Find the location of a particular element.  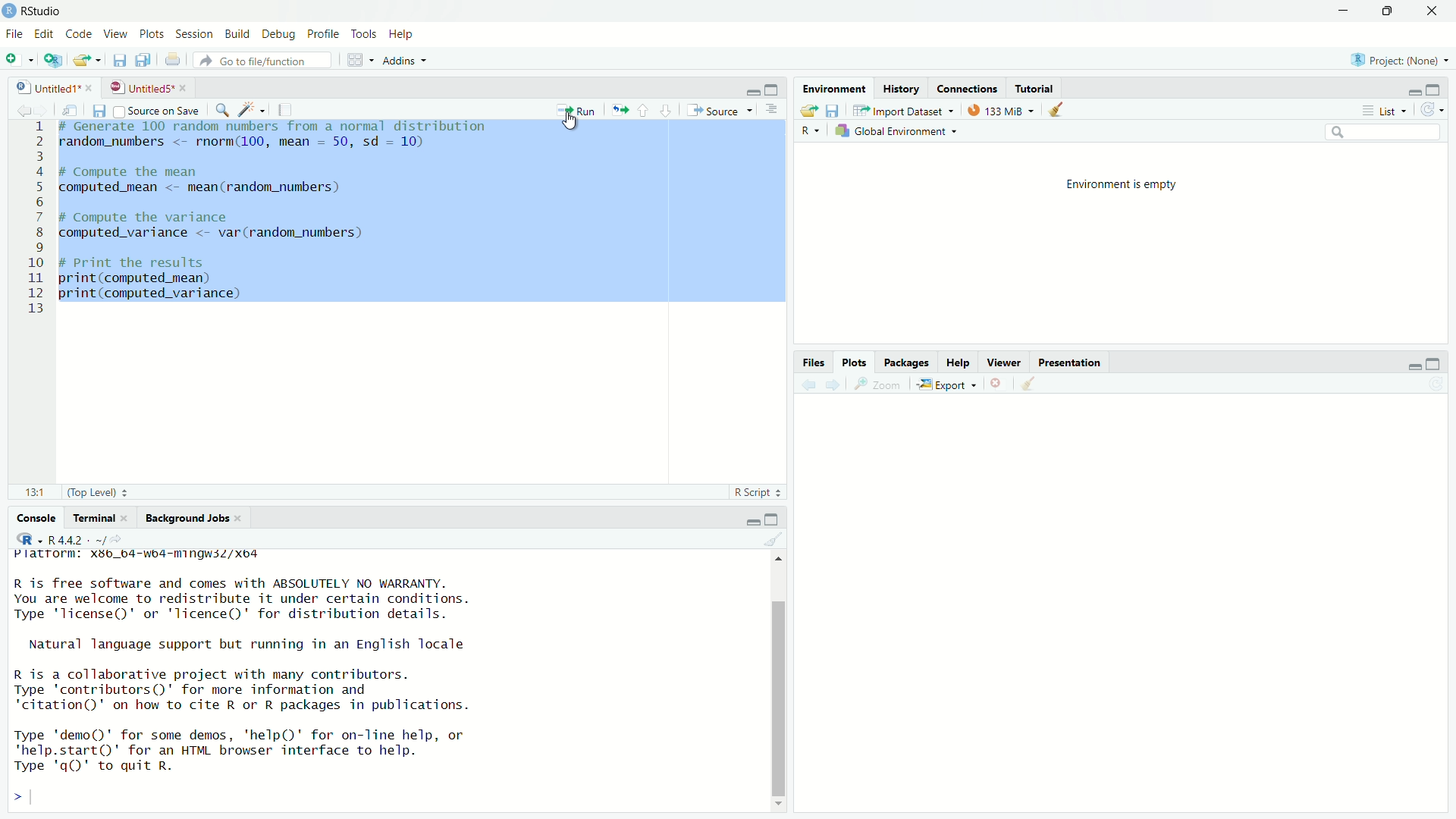

help is located at coordinates (400, 33).